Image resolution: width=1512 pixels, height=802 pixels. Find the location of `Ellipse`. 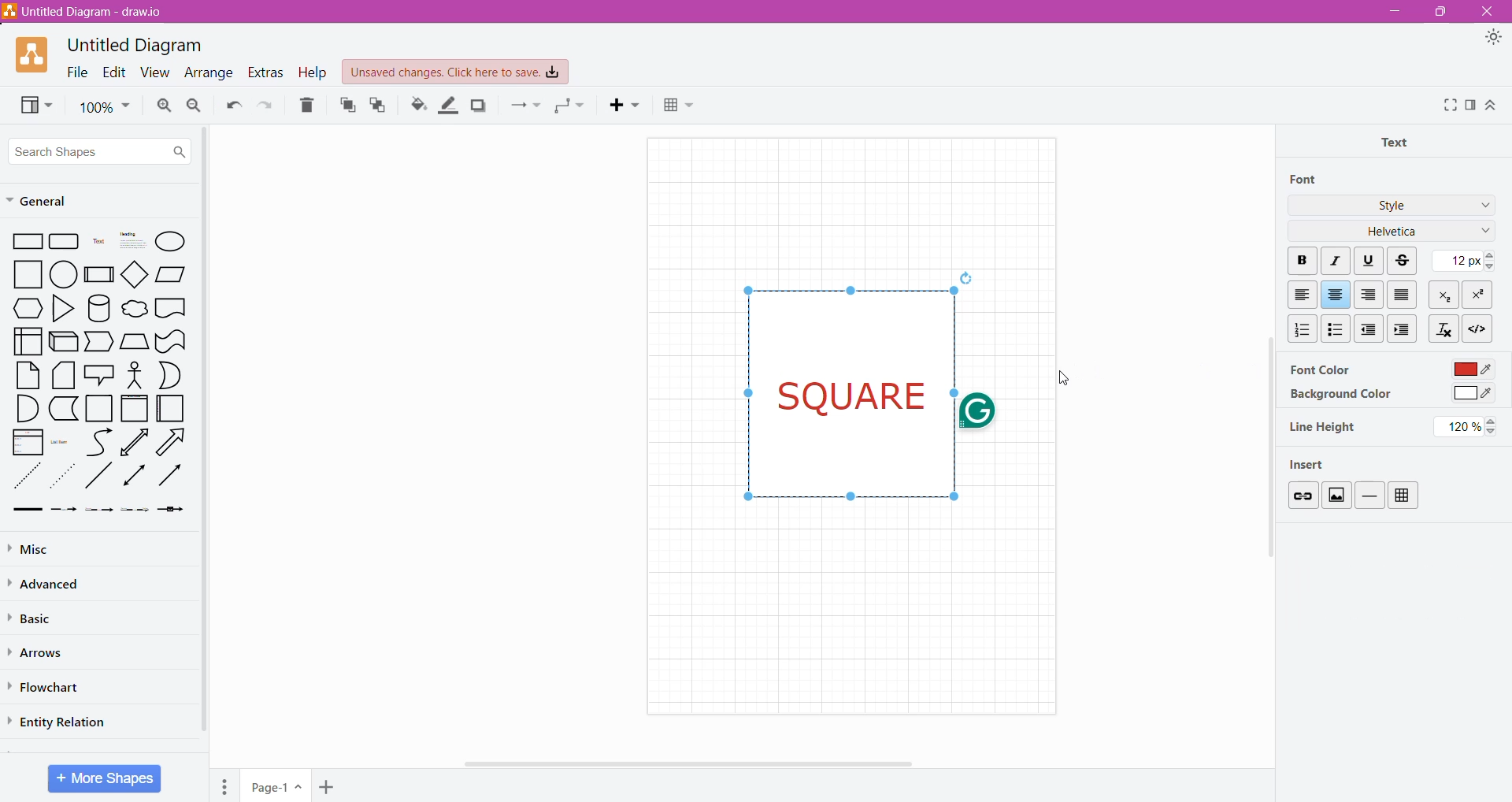

Ellipse is located at coordinates (170, 243).